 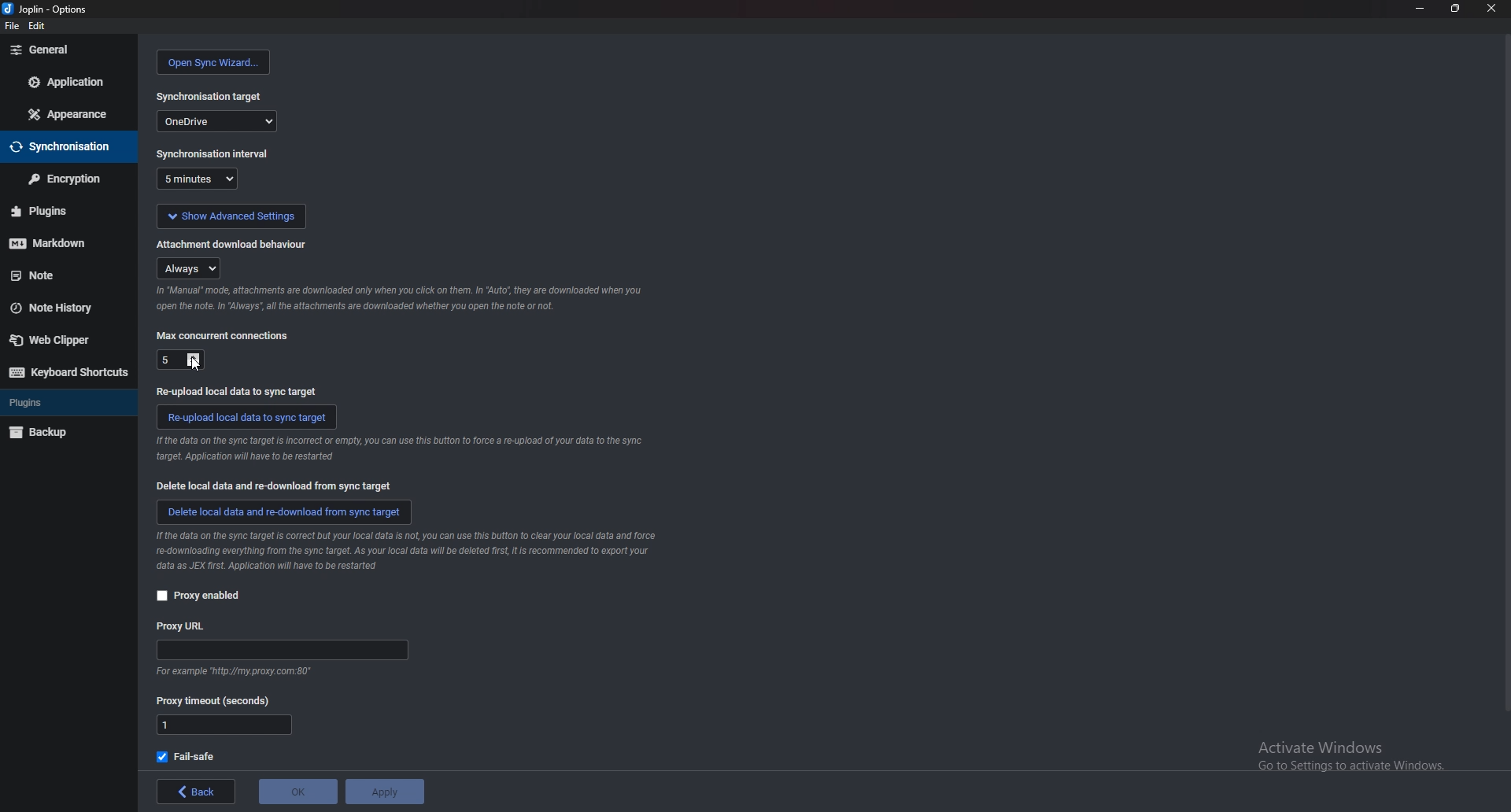 What do you see at coordinates (68, 50) in the screenshot?
I see `general` at bounding box center [68, 50].